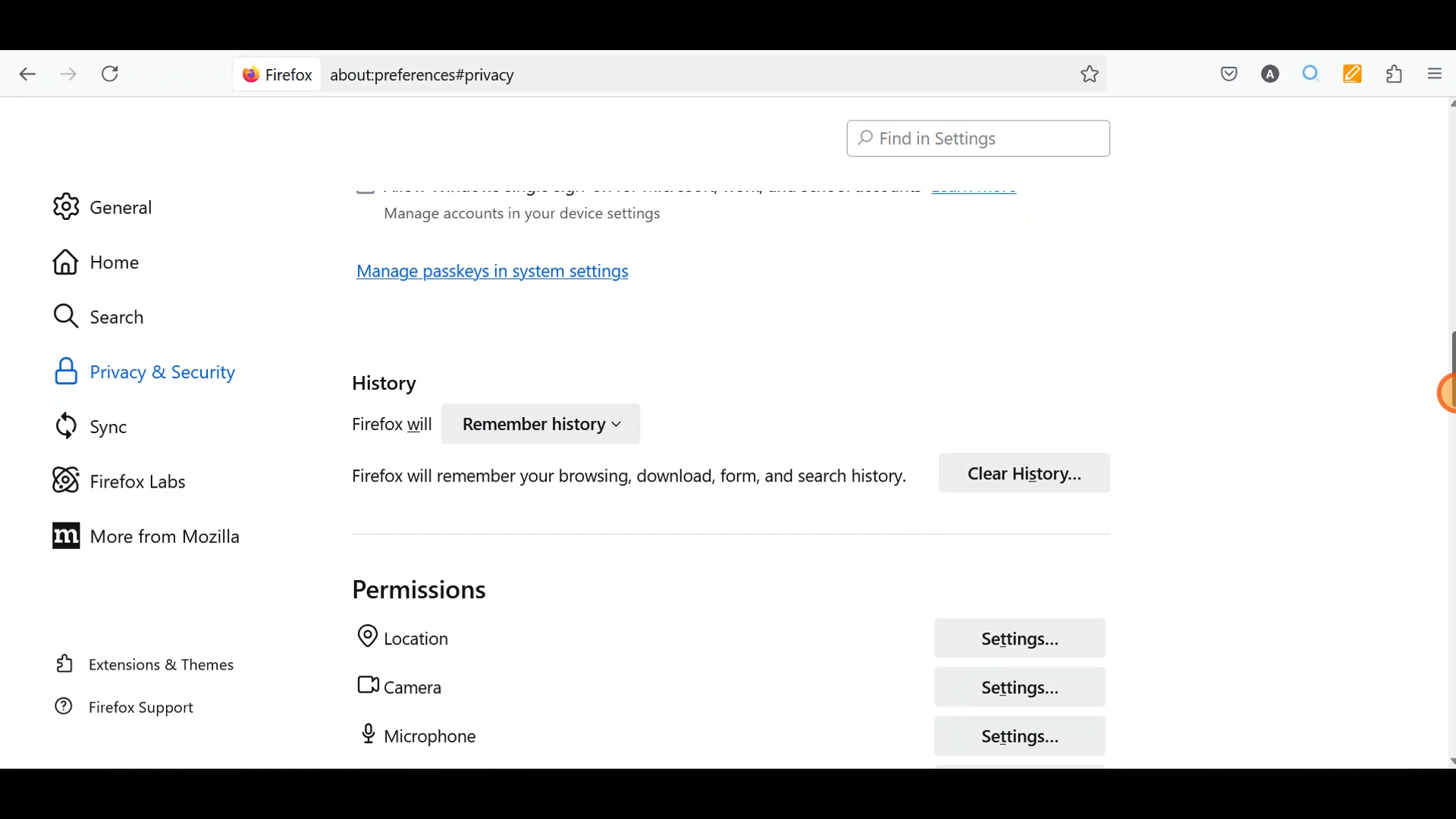 This screenshot has width=1456, height=819. Describe the element at coordinates (1305, 75) in the screenshot. I see `Multiple search & highlight` at that location.